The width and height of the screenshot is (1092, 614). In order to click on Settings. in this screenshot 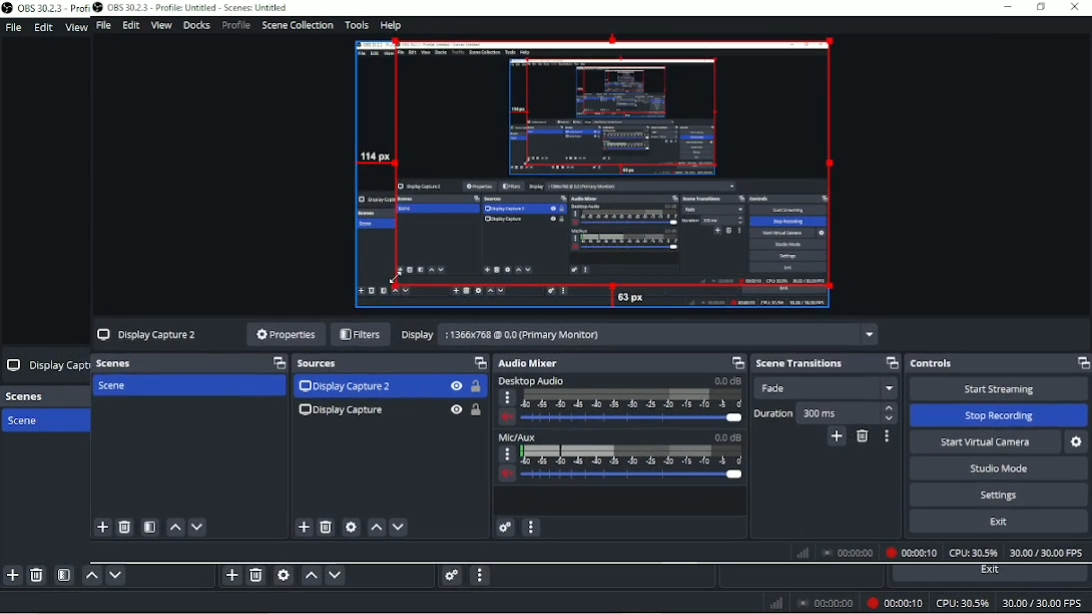, I will do `click(998, 494)`.